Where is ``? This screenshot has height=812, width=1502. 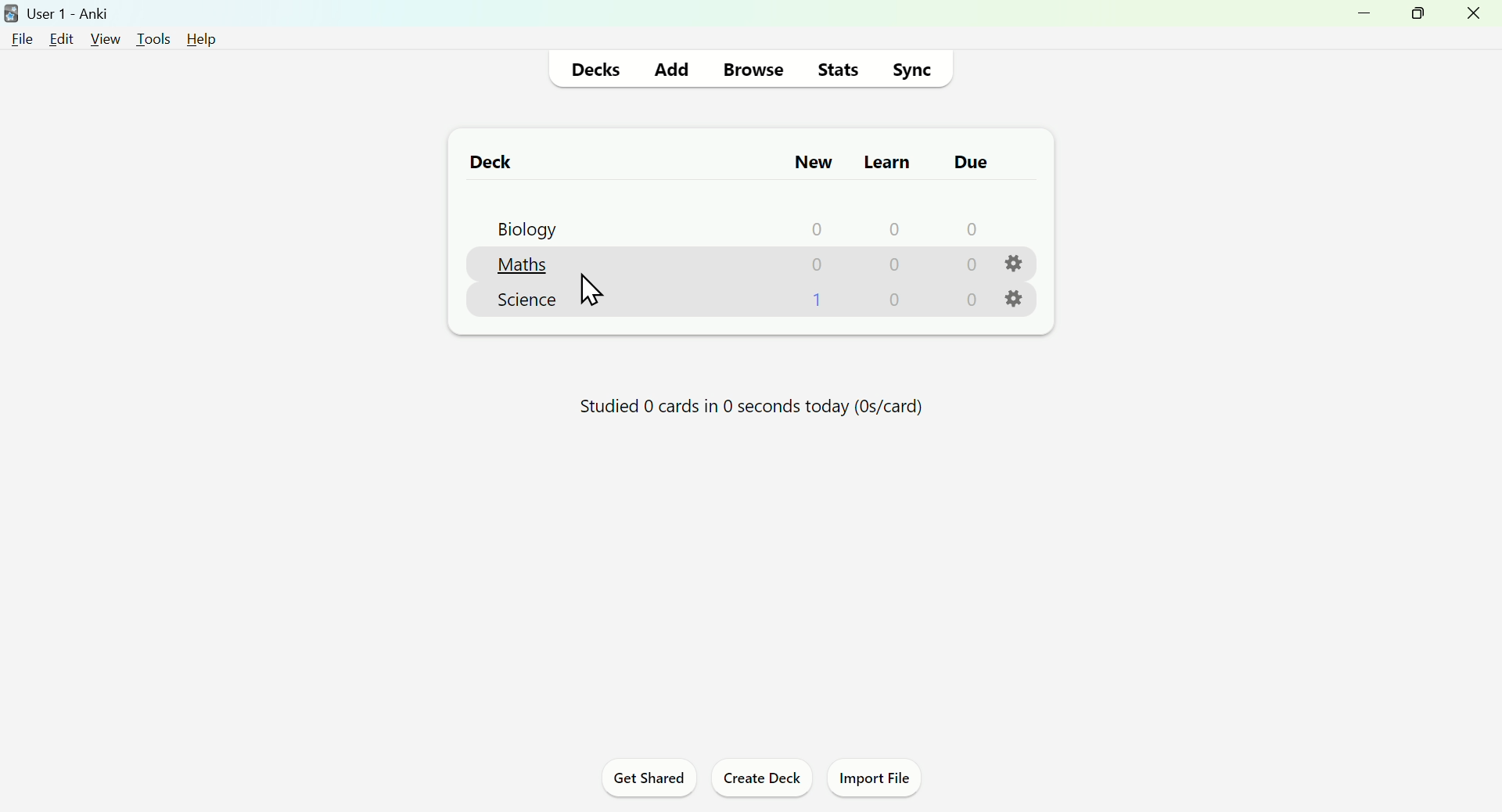
 is located at coordinates (1418, 16).